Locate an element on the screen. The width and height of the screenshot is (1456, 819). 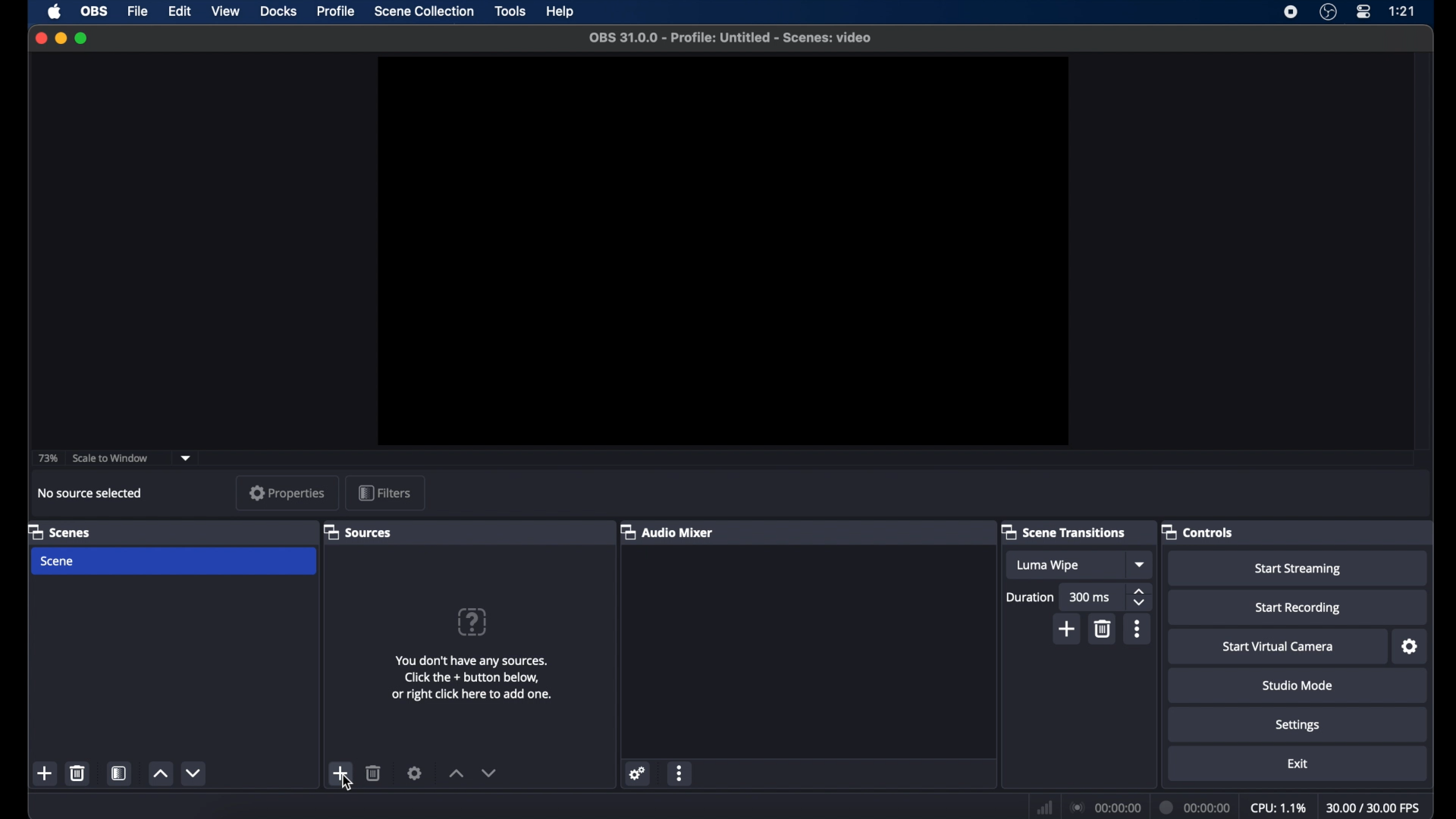
stepper buttons is located at coordinates (1141, 598).